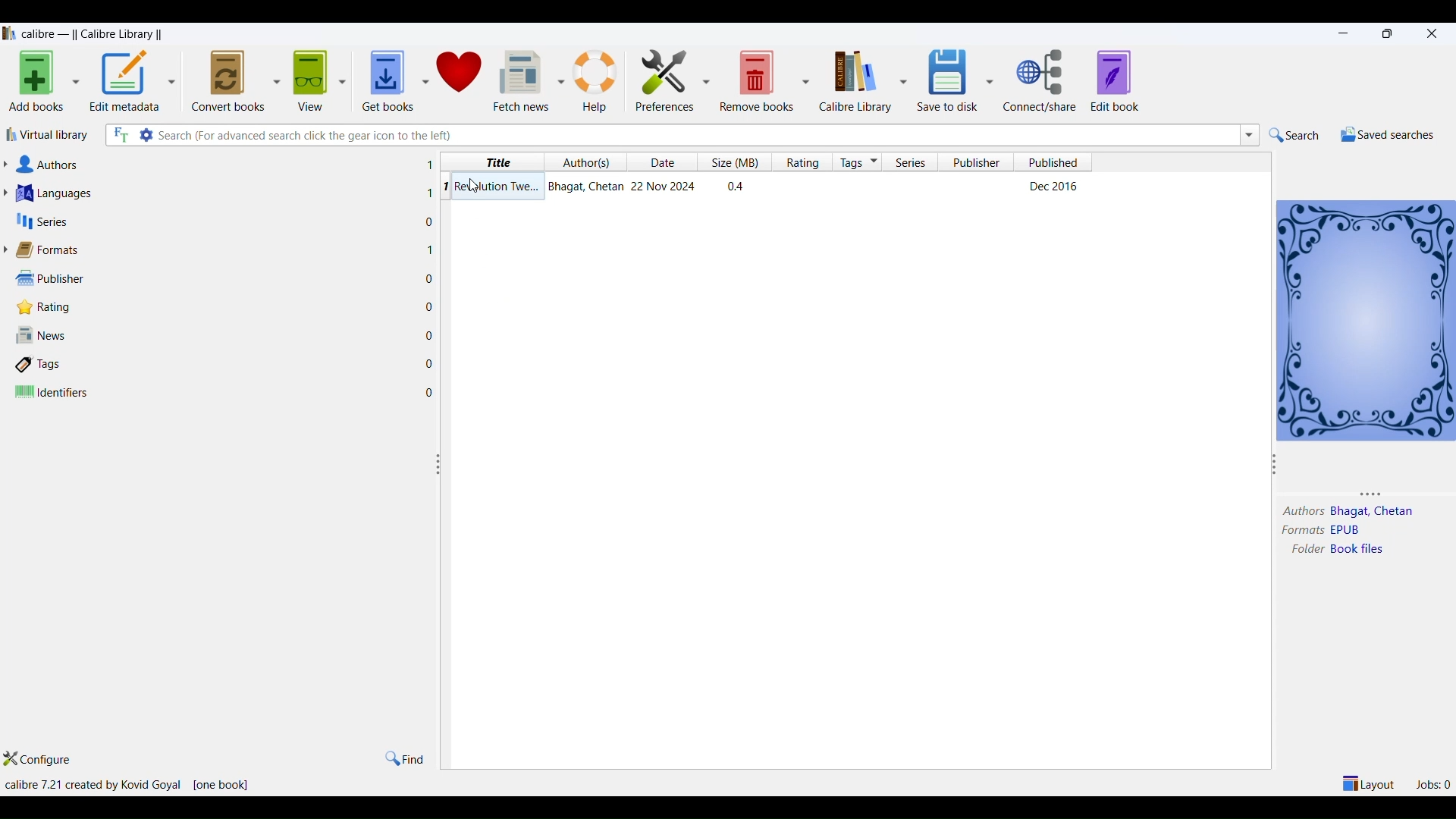 This screenshot has width=1456, height=819. What do you see at coordinates (475, 188) in the screenshot?
I see `cursor` at bounding box center [475, 188].